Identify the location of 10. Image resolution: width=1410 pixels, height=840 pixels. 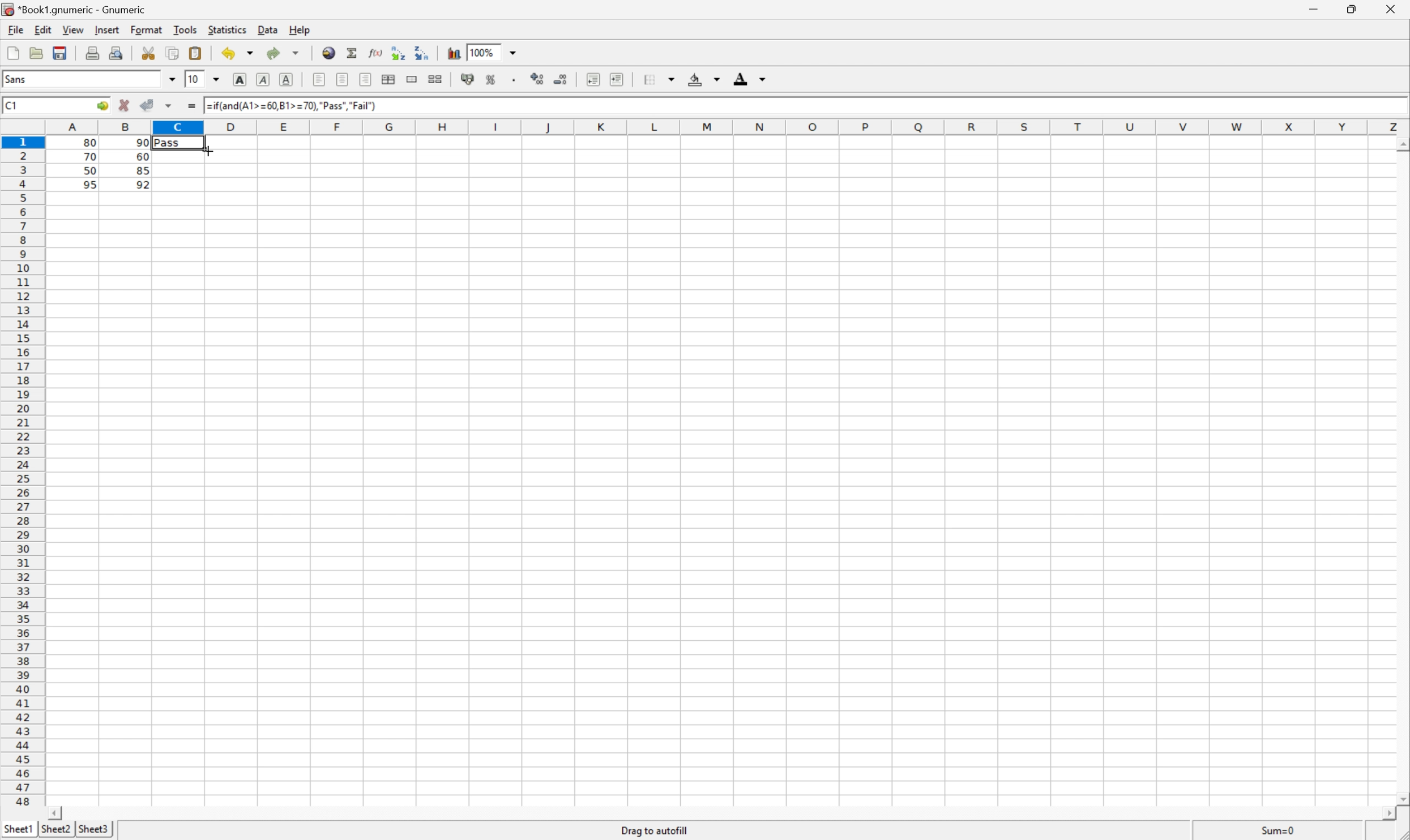
(193, 79).